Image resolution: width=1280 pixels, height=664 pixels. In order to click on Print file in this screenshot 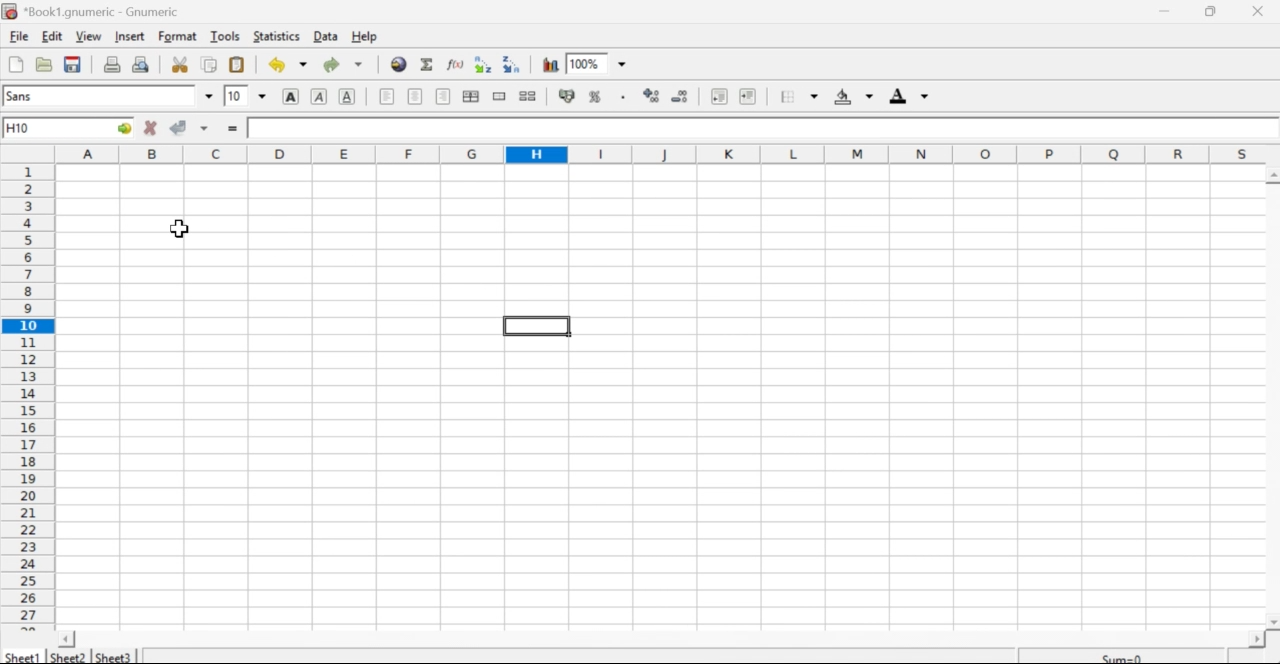, I will do `click(112, 64)`.